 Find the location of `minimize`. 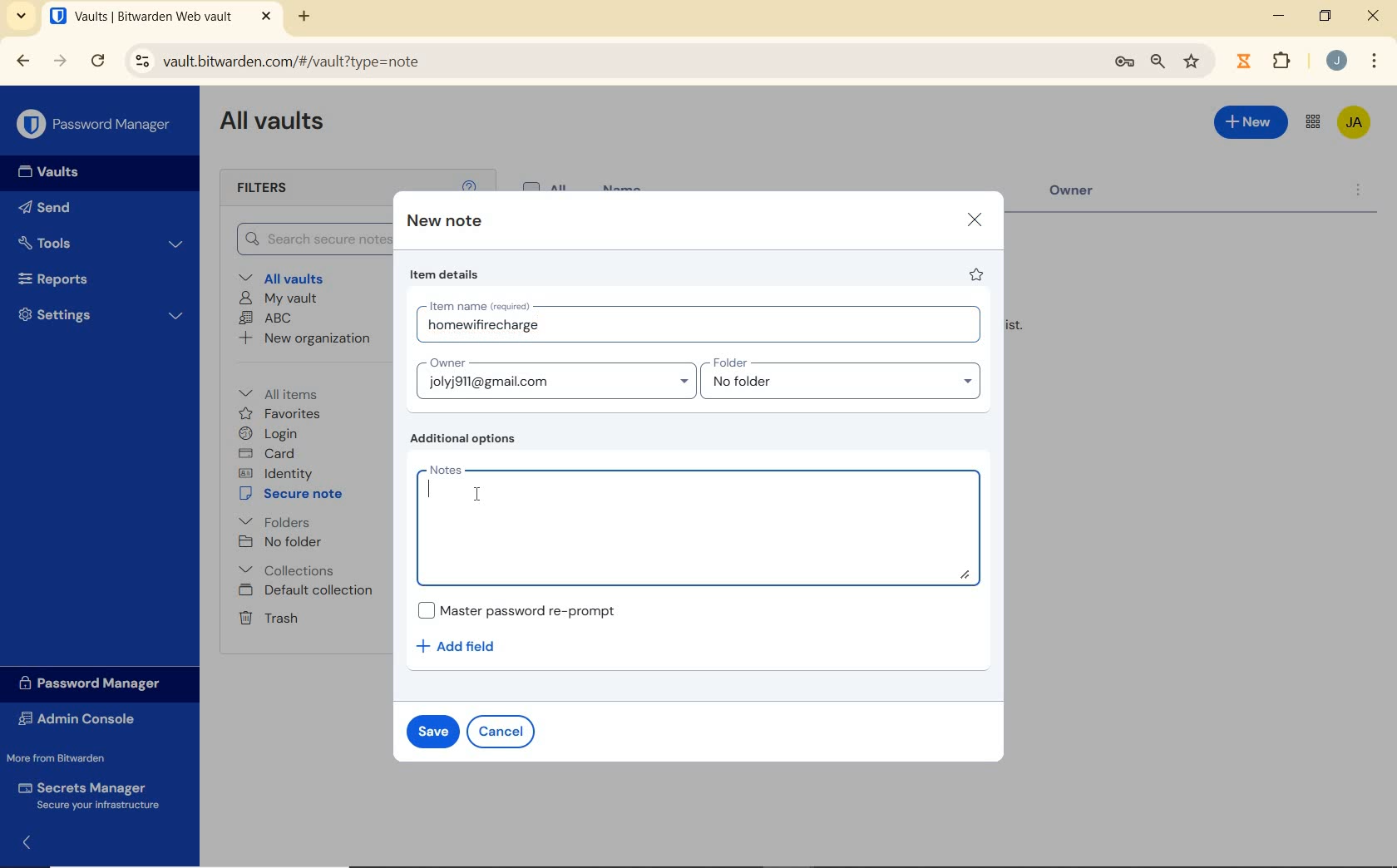

minimize is located at coordinates (1279, 15).